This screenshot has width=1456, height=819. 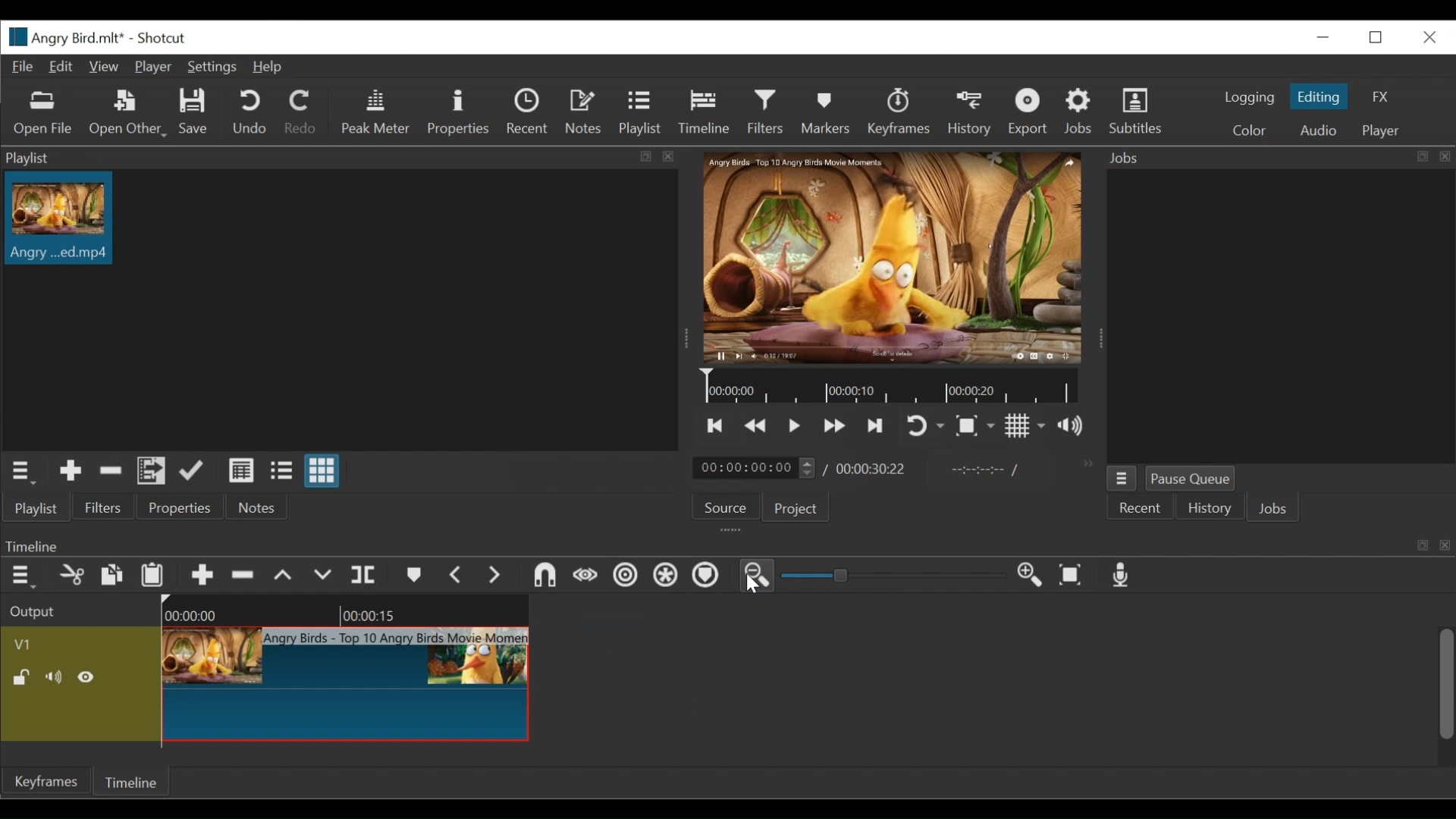 I want to click on bookmark, so click(x=414, y=577).